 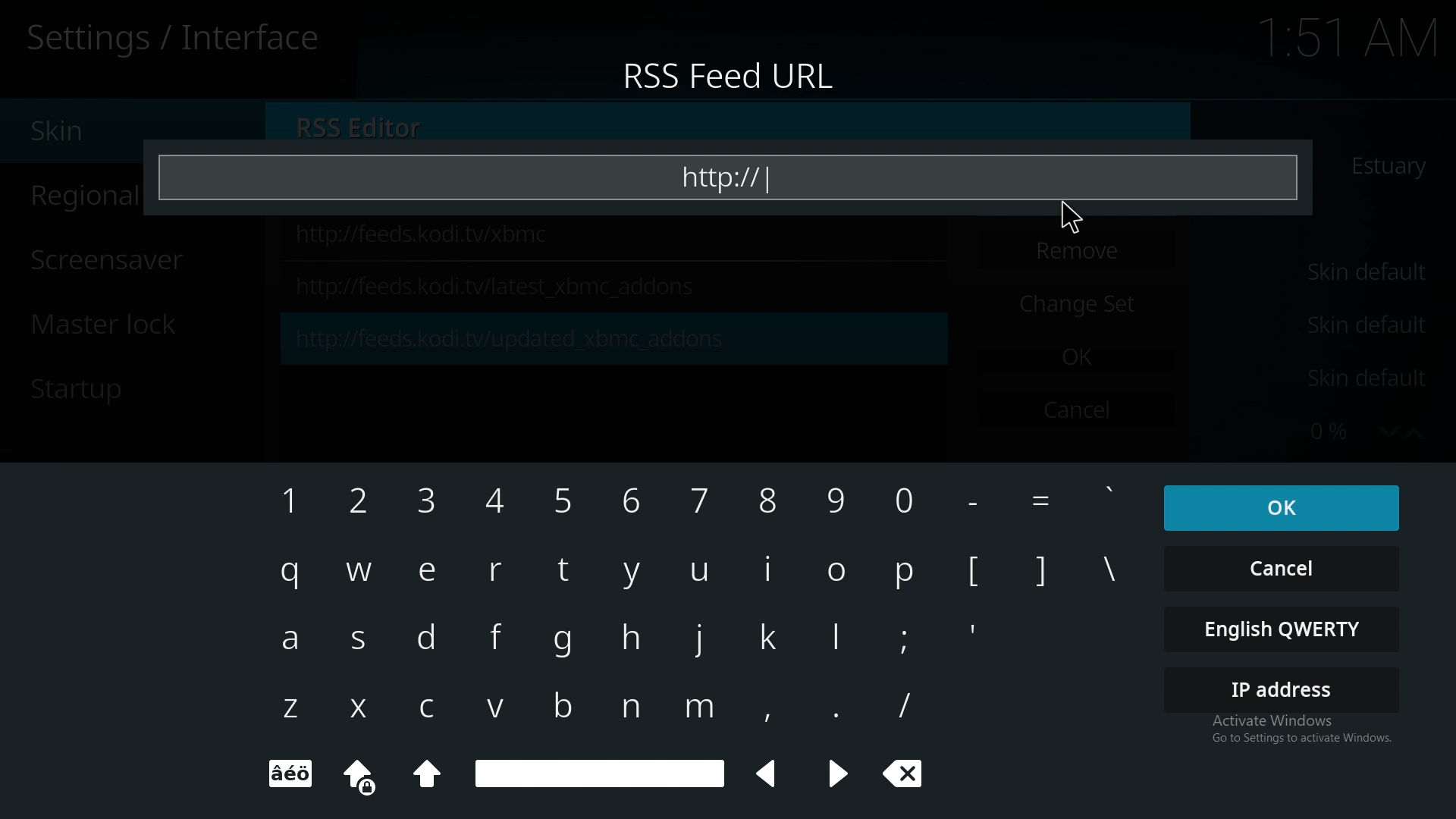 I want to click on keyboard Input, so click(x=564, y=706).